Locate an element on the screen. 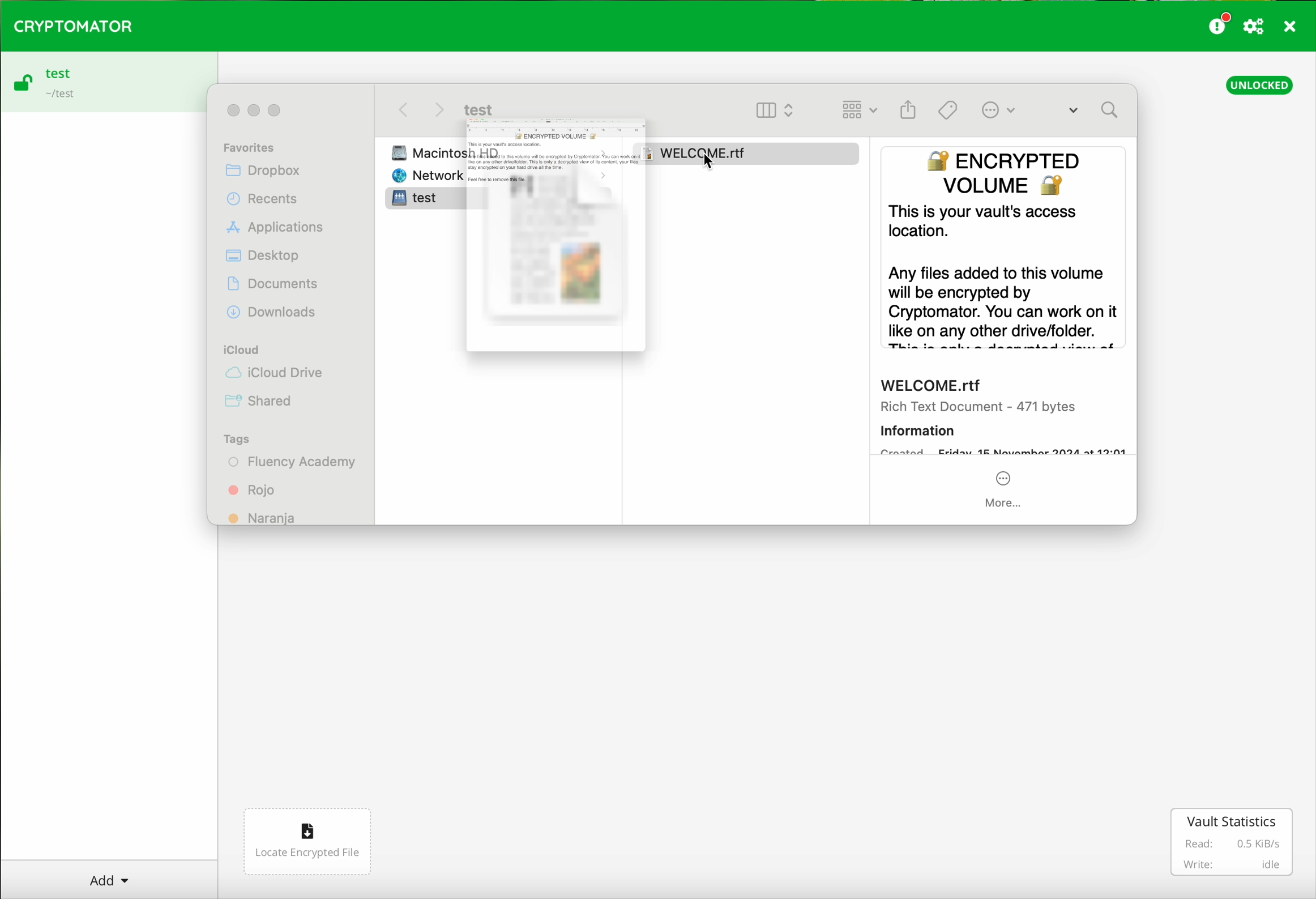 The width and height of the screenshot is (1316, 899). open padlock is located at coordinates (22, 85).